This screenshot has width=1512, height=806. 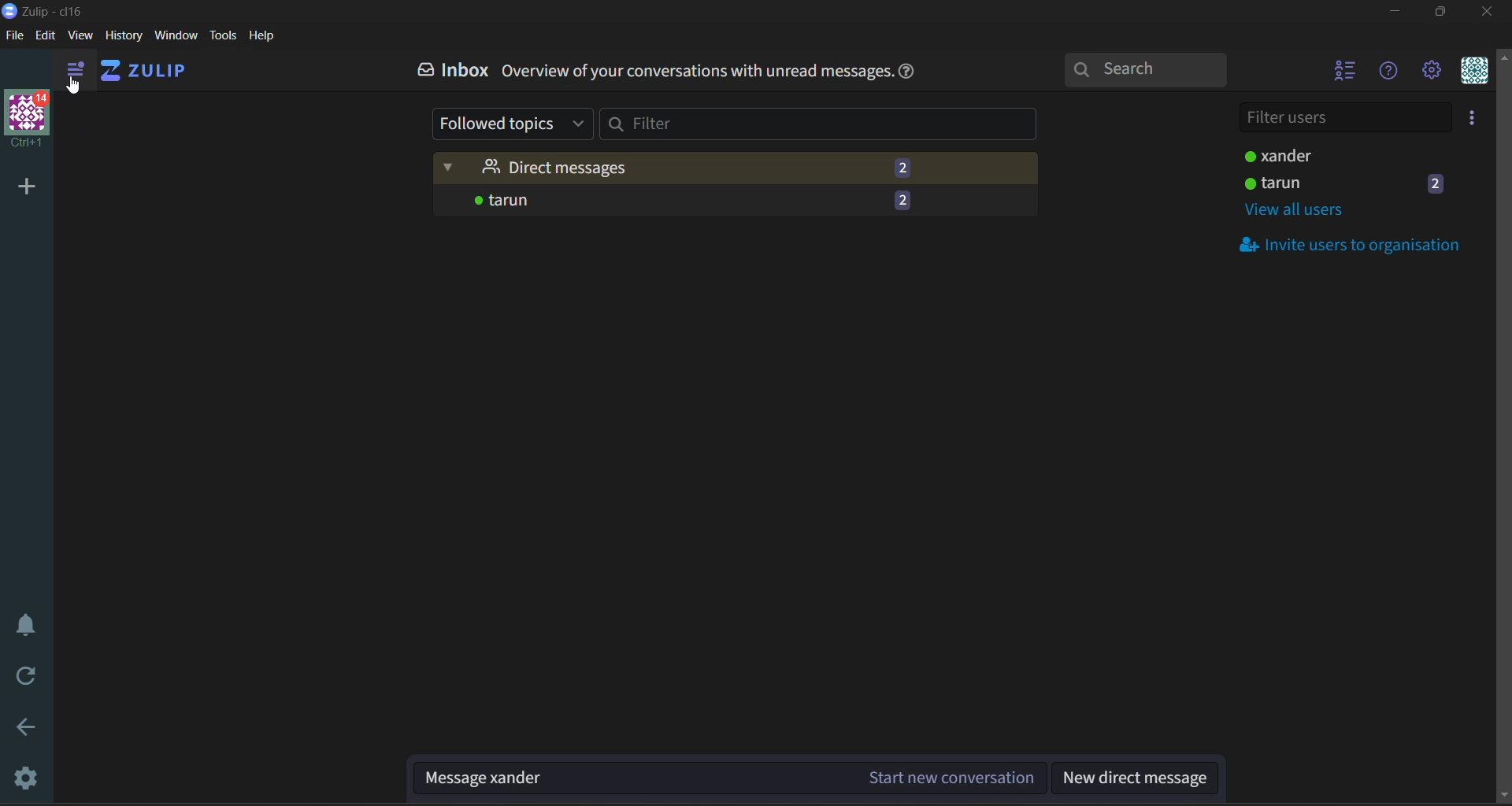 What do you see at coordinates (76, 94) in the screenshot?
I see `cursor` at bounding box center [76, 94].